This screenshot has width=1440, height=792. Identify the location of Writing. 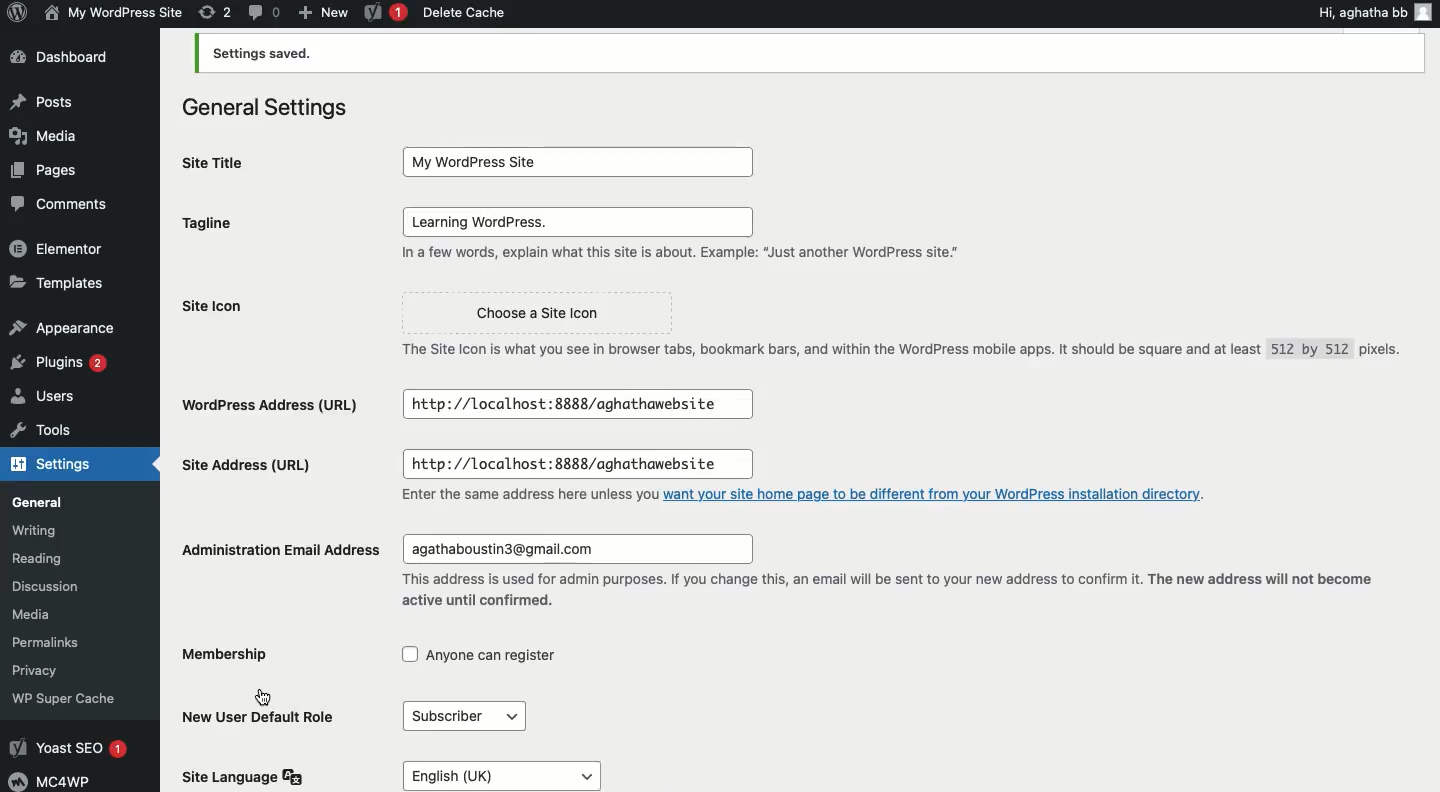
(45, 529).